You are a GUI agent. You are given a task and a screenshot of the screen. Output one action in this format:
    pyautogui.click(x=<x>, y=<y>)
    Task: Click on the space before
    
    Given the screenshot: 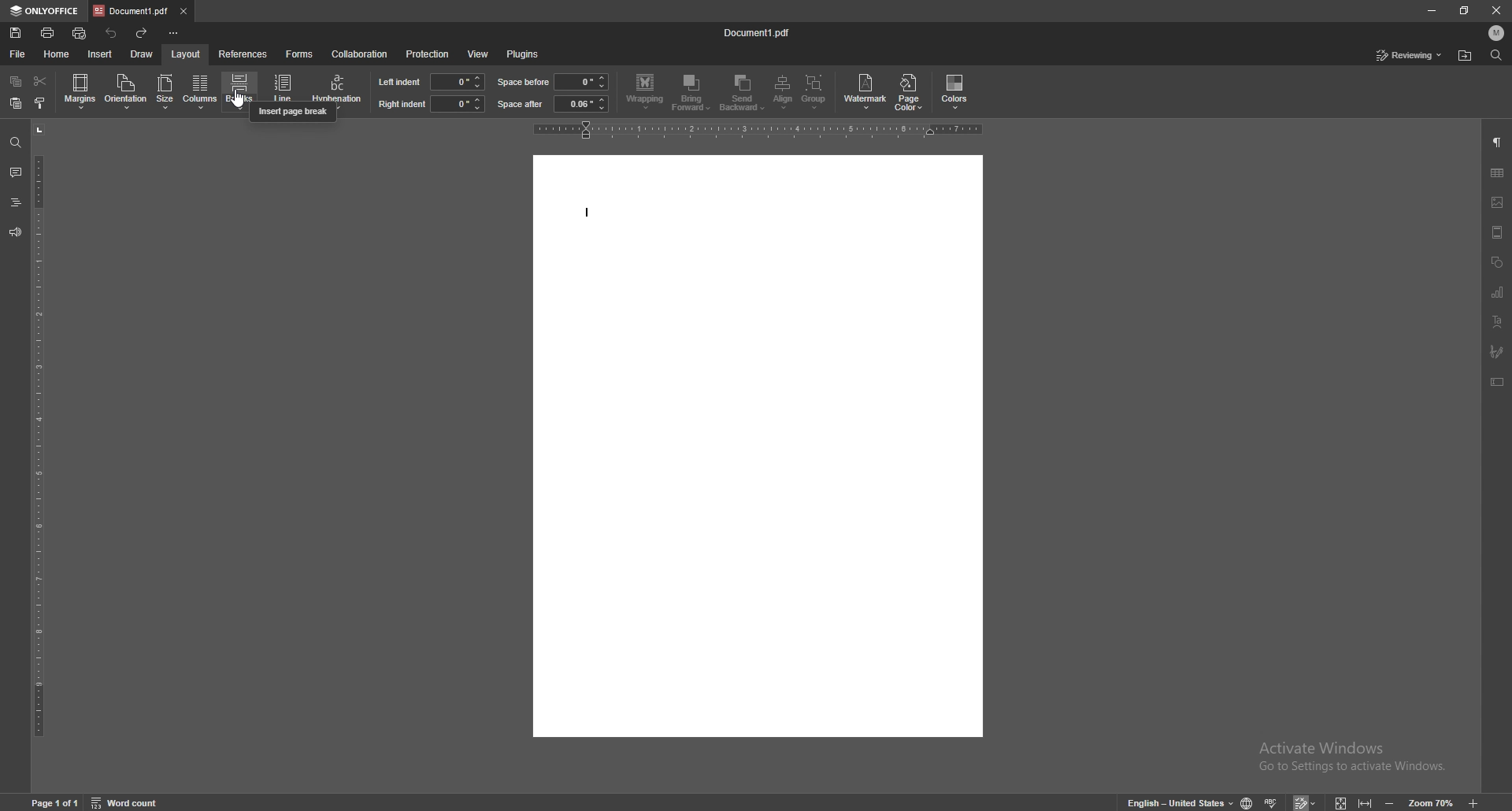 What is the action you would take?
    pyautogui.click(x=524, y=82)
    